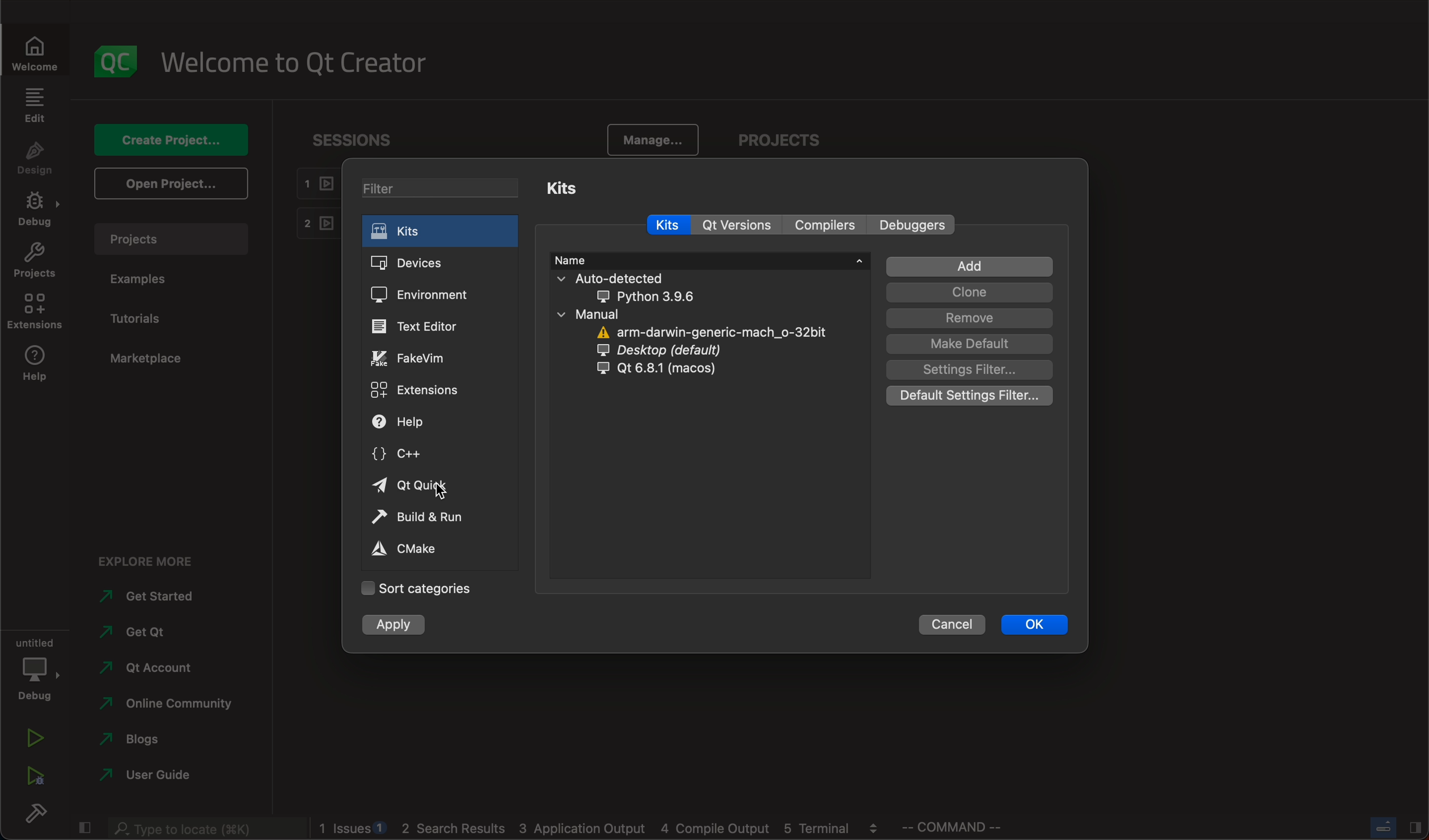  I want to click on run, so click(418, 519).